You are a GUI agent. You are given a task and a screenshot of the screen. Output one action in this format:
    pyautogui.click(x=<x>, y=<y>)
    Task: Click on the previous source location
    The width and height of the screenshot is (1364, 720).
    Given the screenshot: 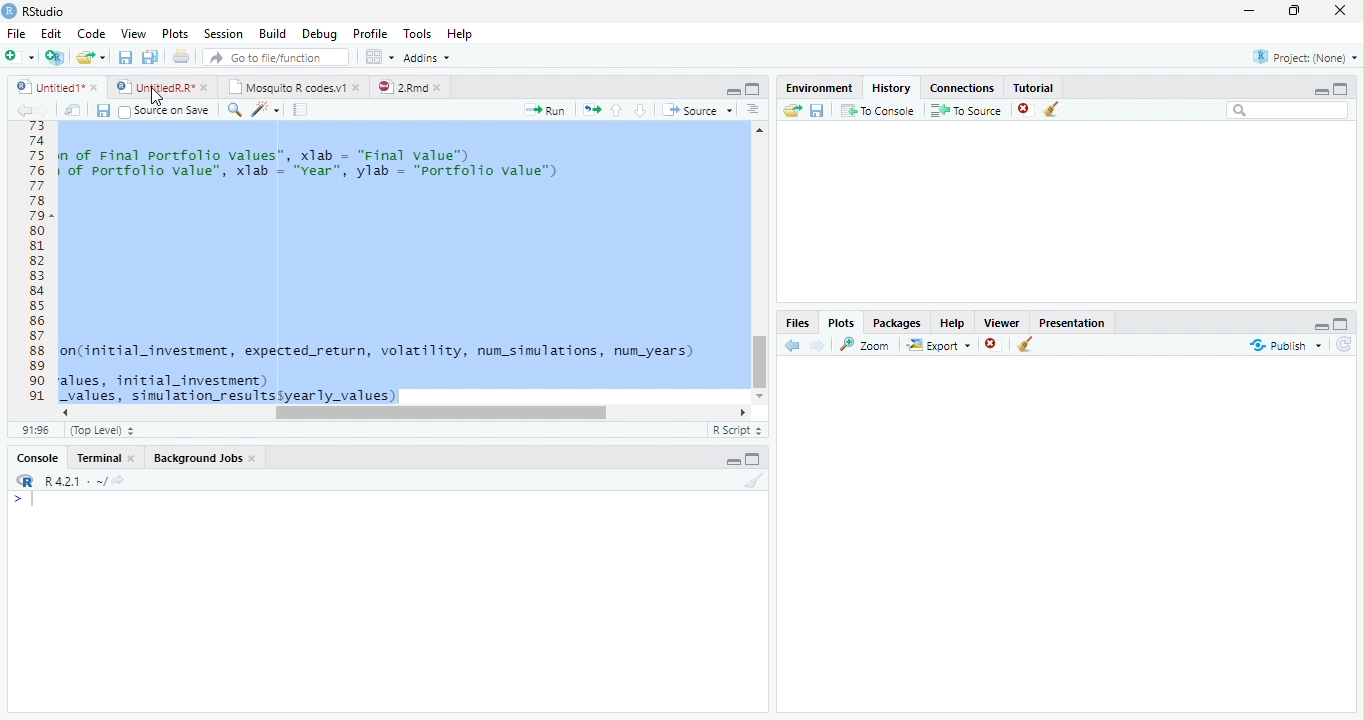 What is the action you would take?
    pyautogui.click(x=23, y=110)
    